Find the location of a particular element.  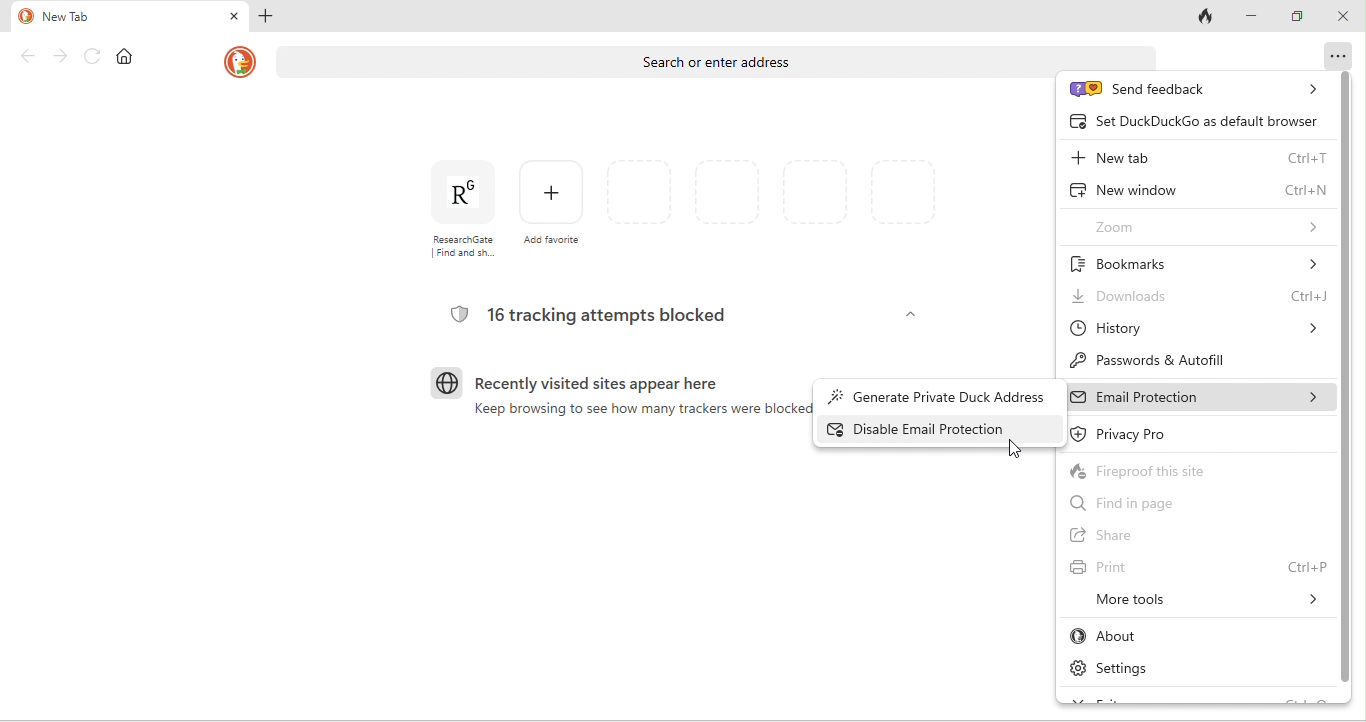

new tab is located at coordinates (115, 16).